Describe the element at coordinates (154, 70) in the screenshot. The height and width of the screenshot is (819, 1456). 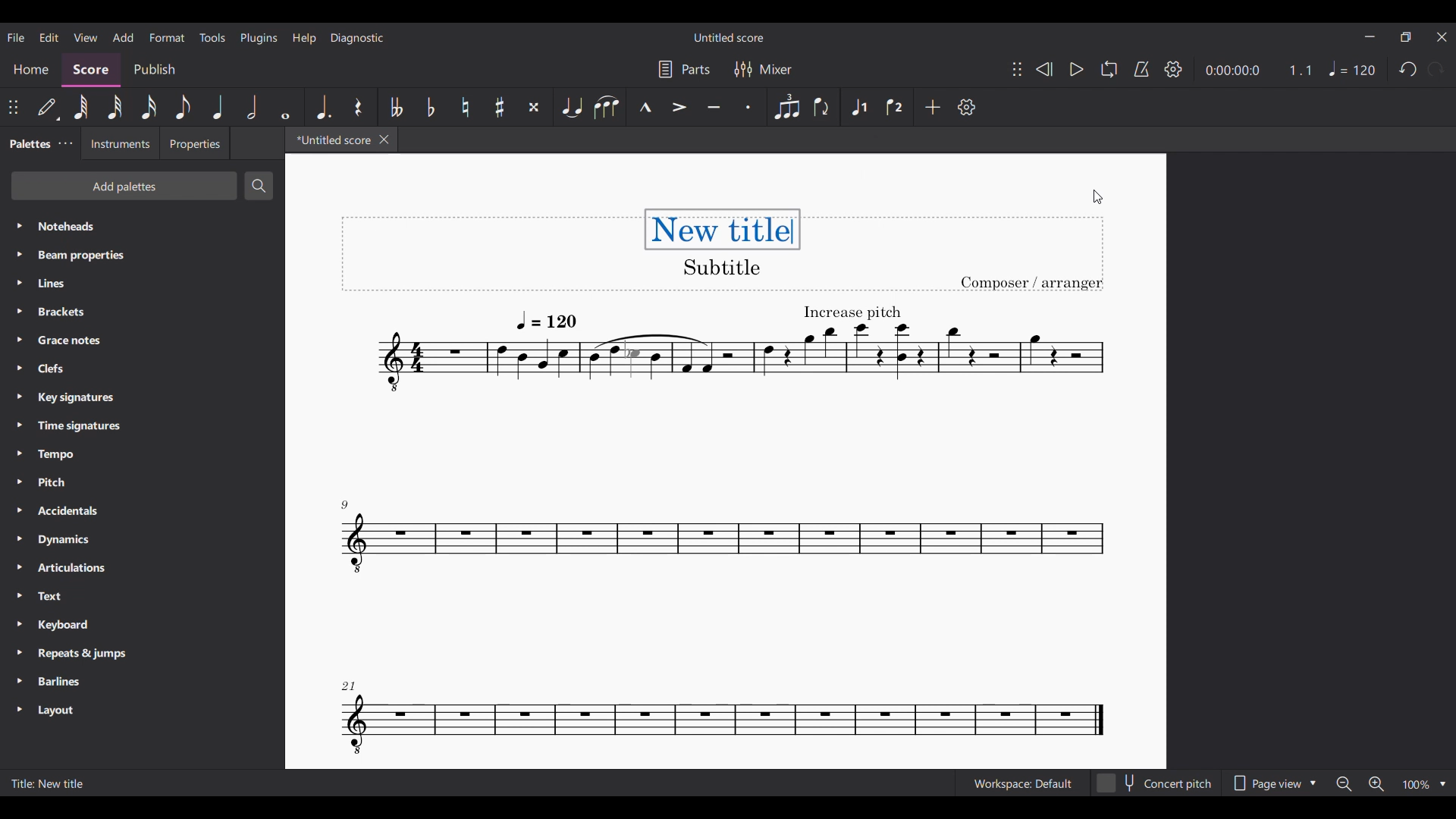
I see `Publish section` at that location.